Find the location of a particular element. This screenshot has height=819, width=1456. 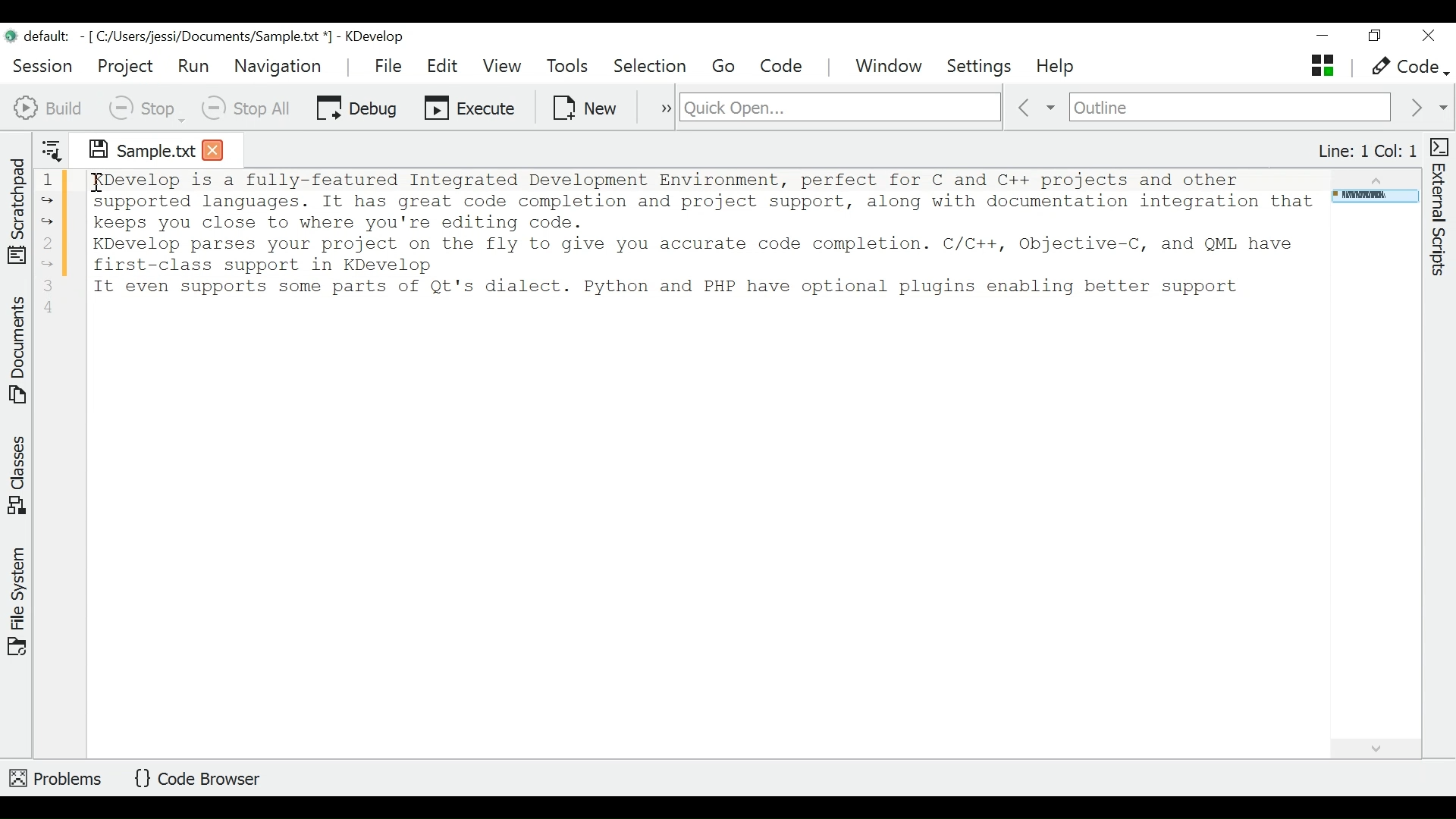

Scratchpad is located at coordinates (17, 208).